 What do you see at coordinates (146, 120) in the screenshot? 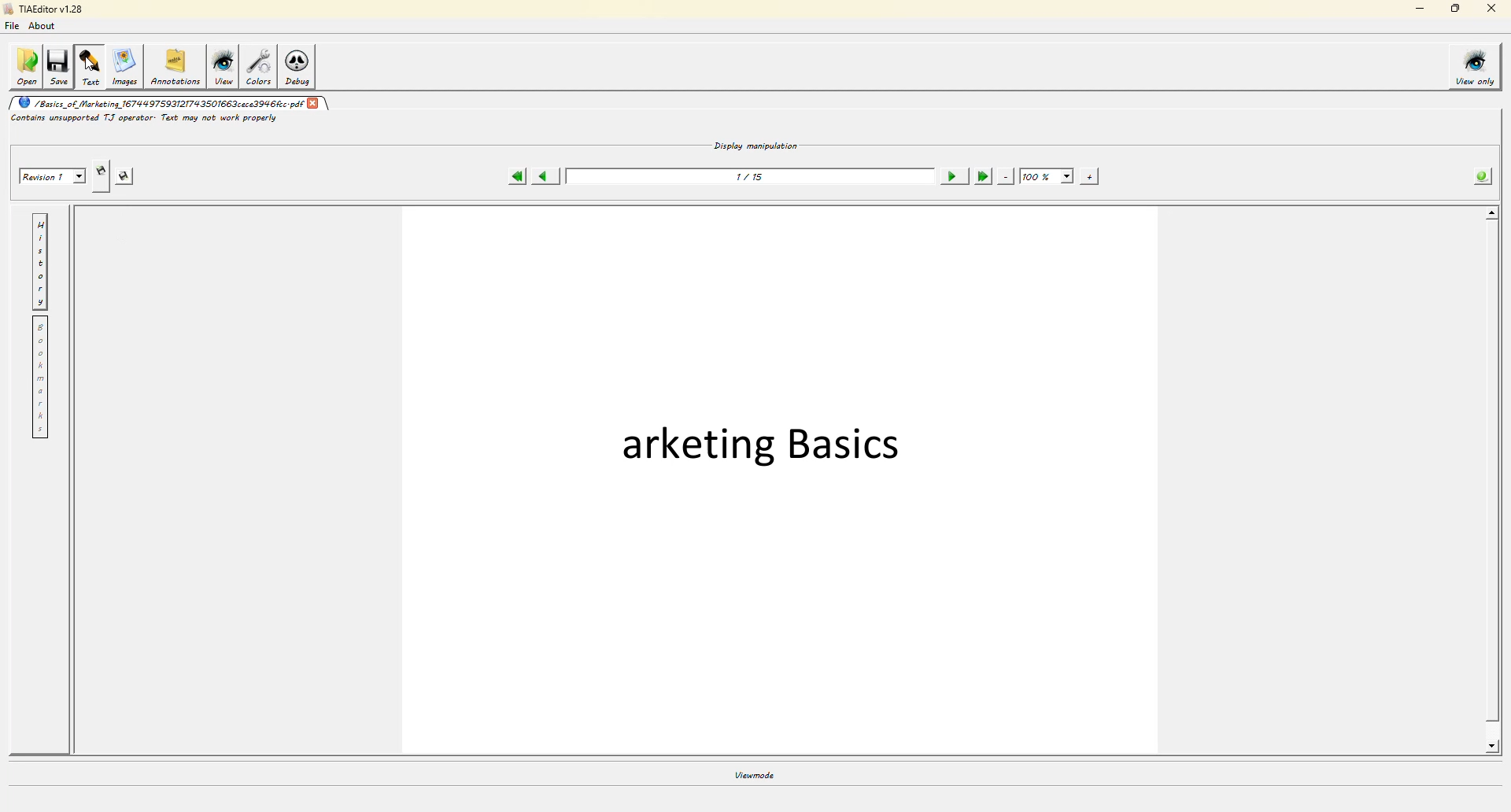
I see `contains unsupported TJ operator. text may not work properly` at bounding box center [146, 120].